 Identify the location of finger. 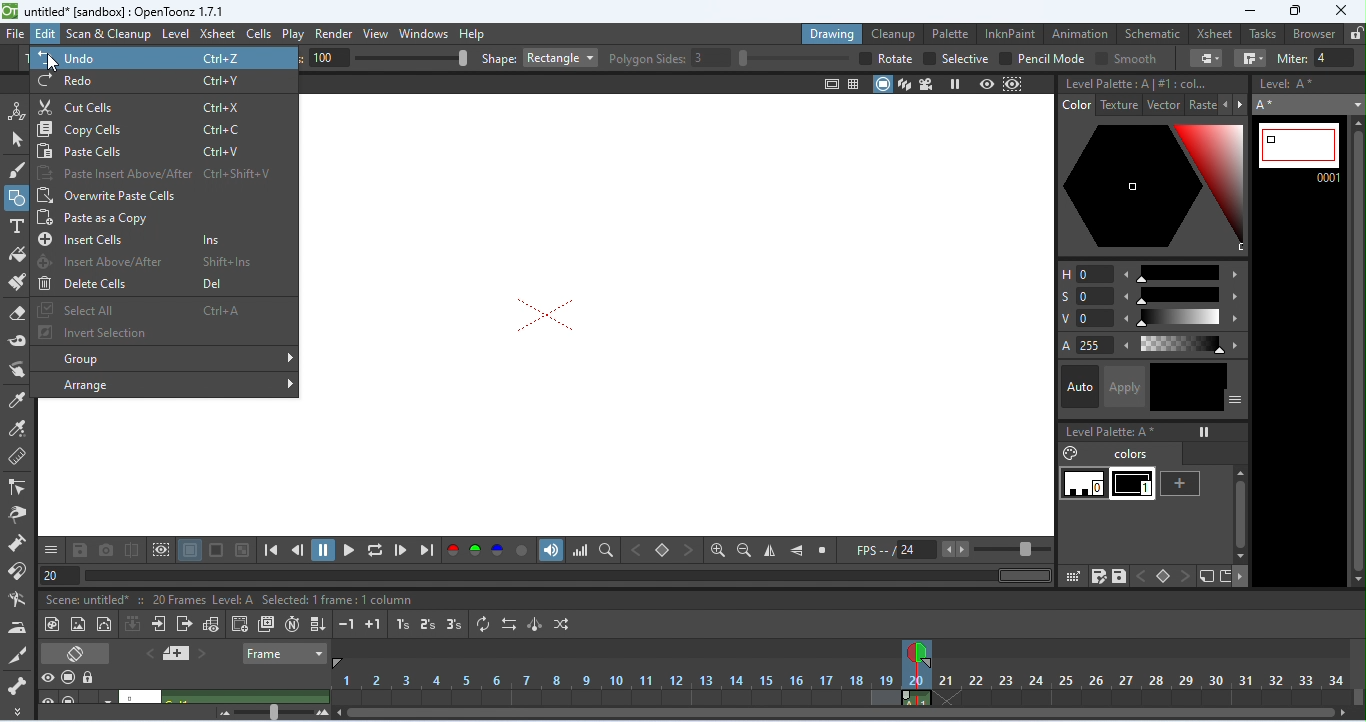
(20, 368).